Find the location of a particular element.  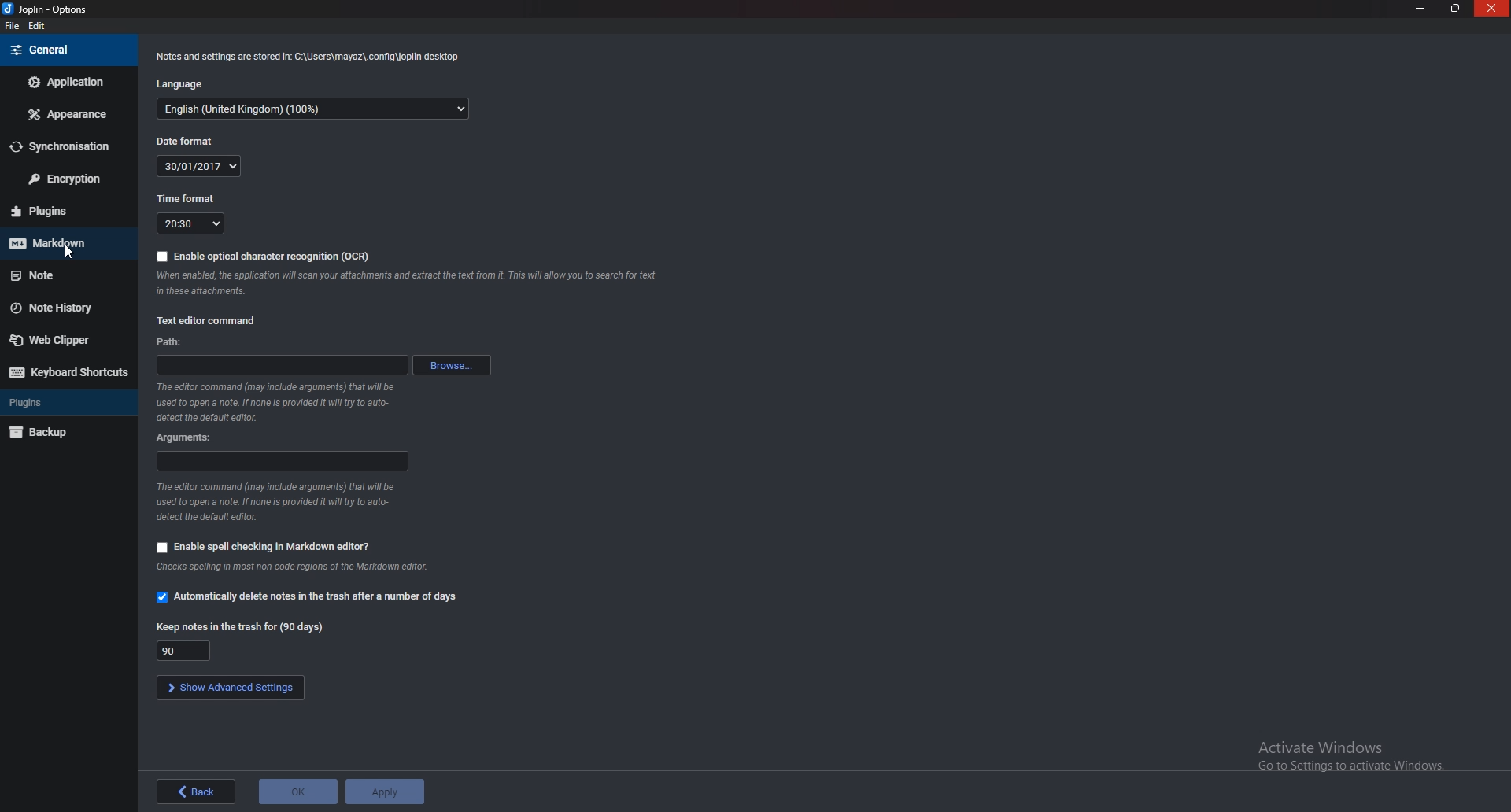

browse is located at coordinates (456, 364).